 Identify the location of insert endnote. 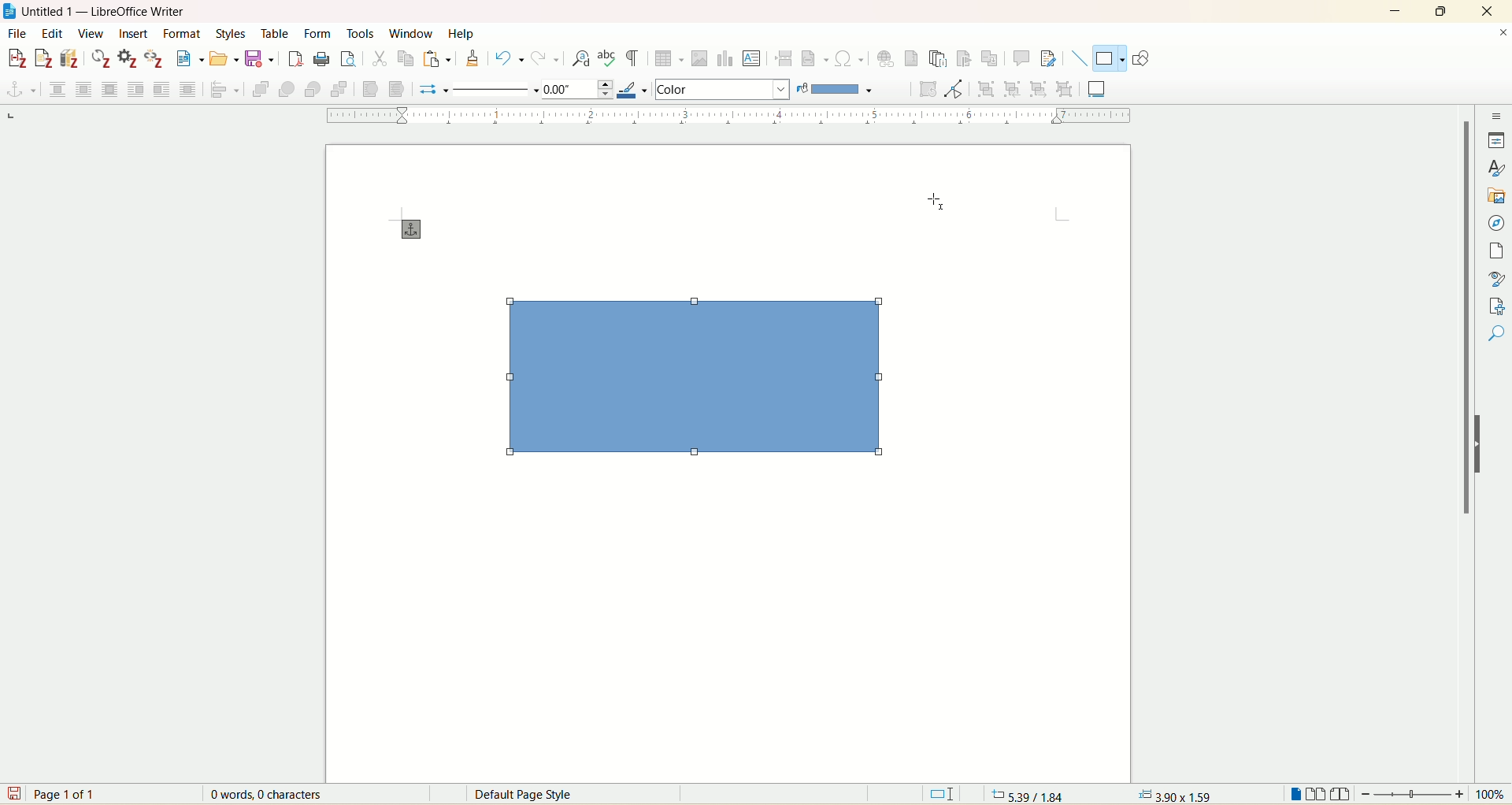
(941, 58).